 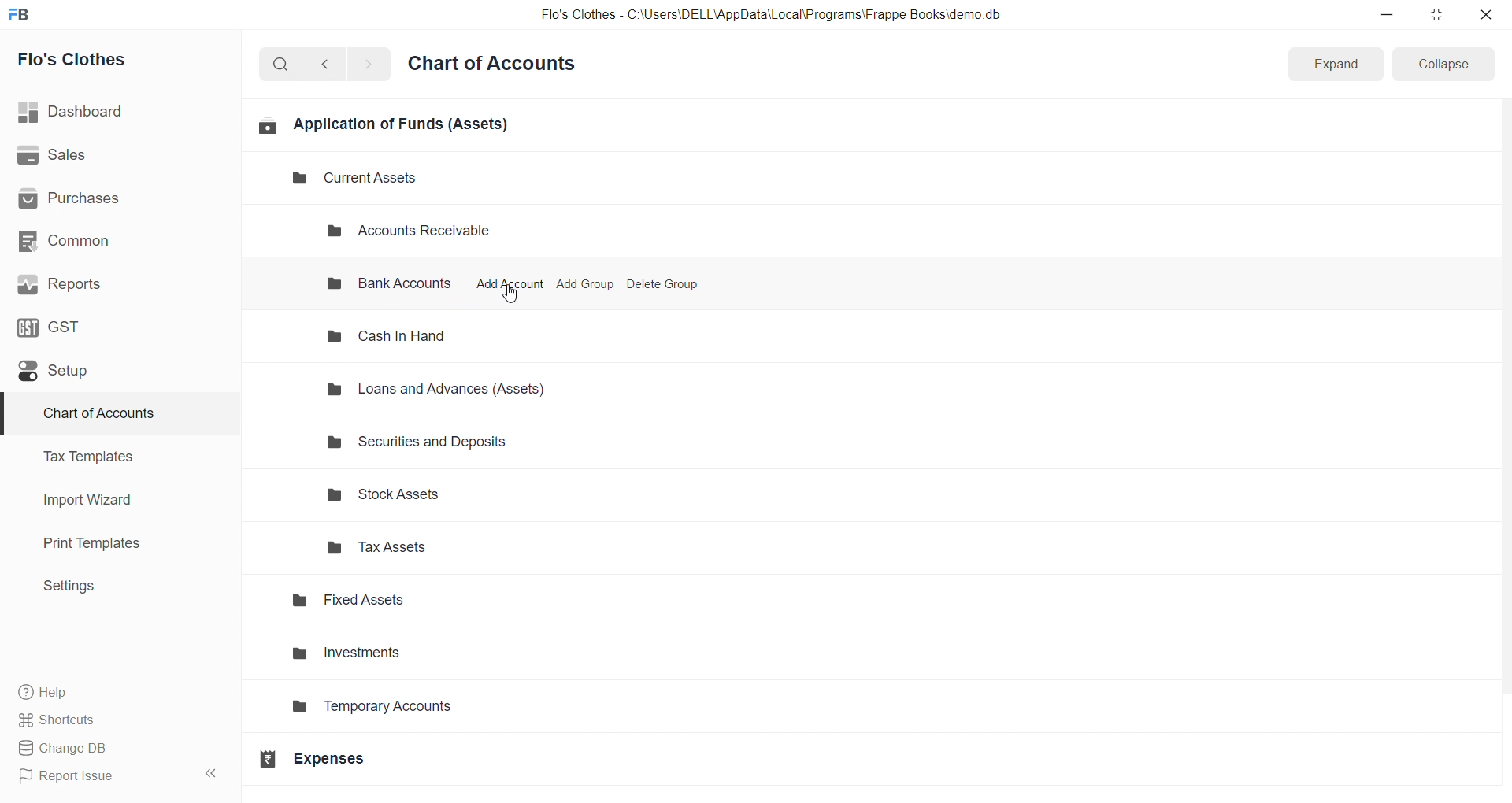 What do you see at coordinates (1485, 14) in the screenshot?
I see `close` at bounding box center [1485, 14].